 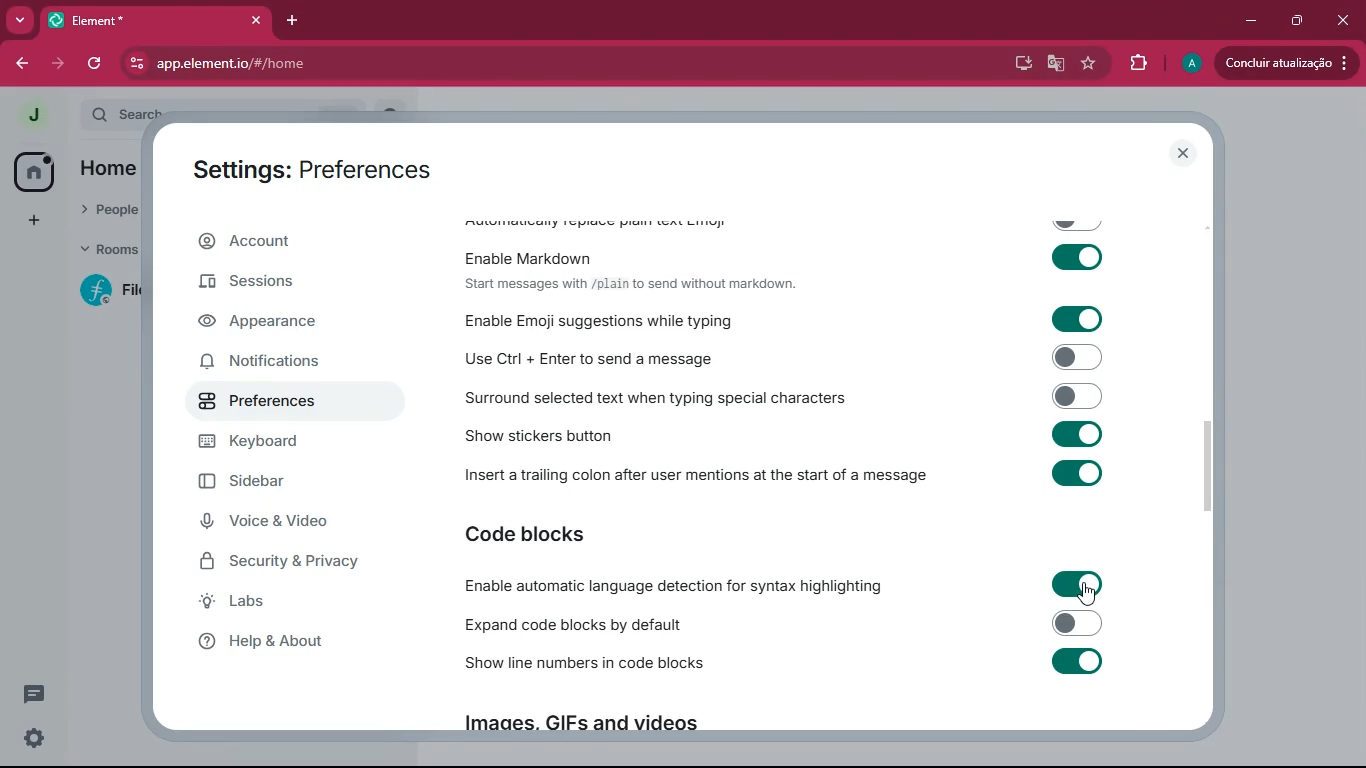 What do you see at coordinates (1345, 20) in the screenshot?
I see `close` at bounding box center [1345, 20].